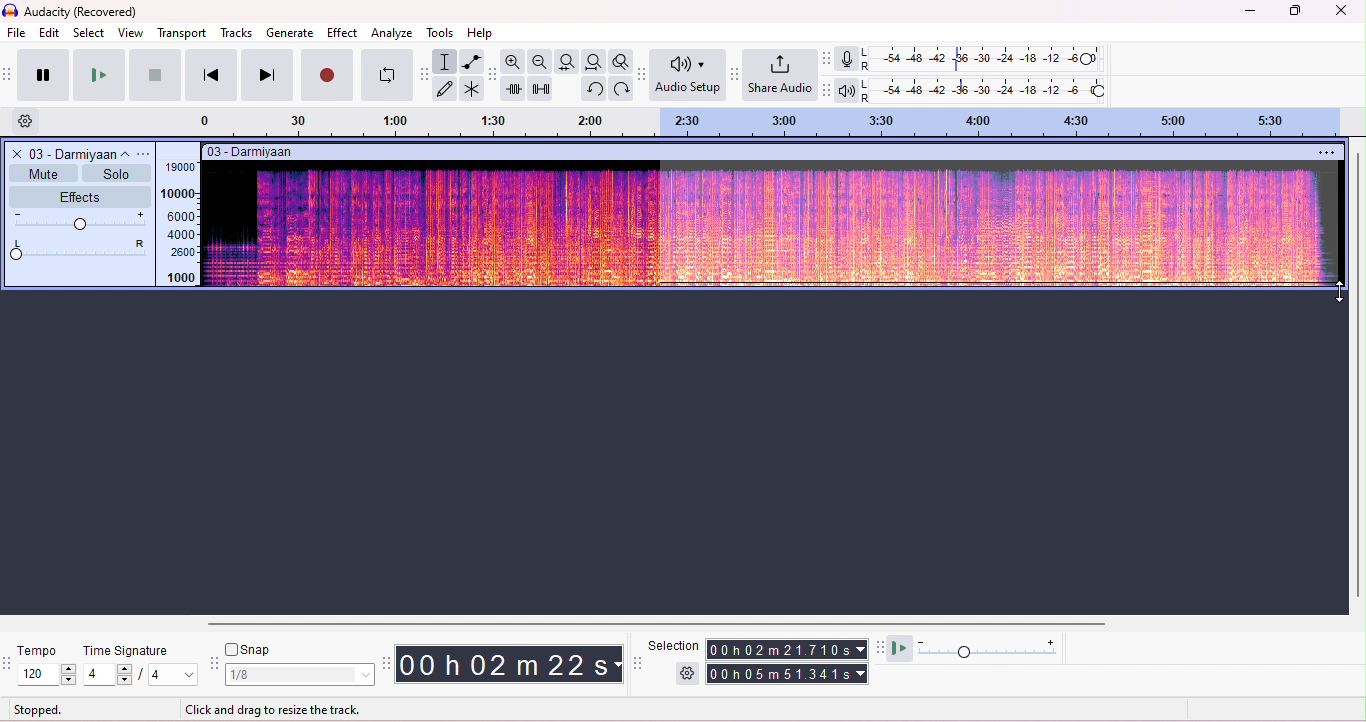 This screenshot has width=1366, height=722. I want to click on edit, so click(50, 32).